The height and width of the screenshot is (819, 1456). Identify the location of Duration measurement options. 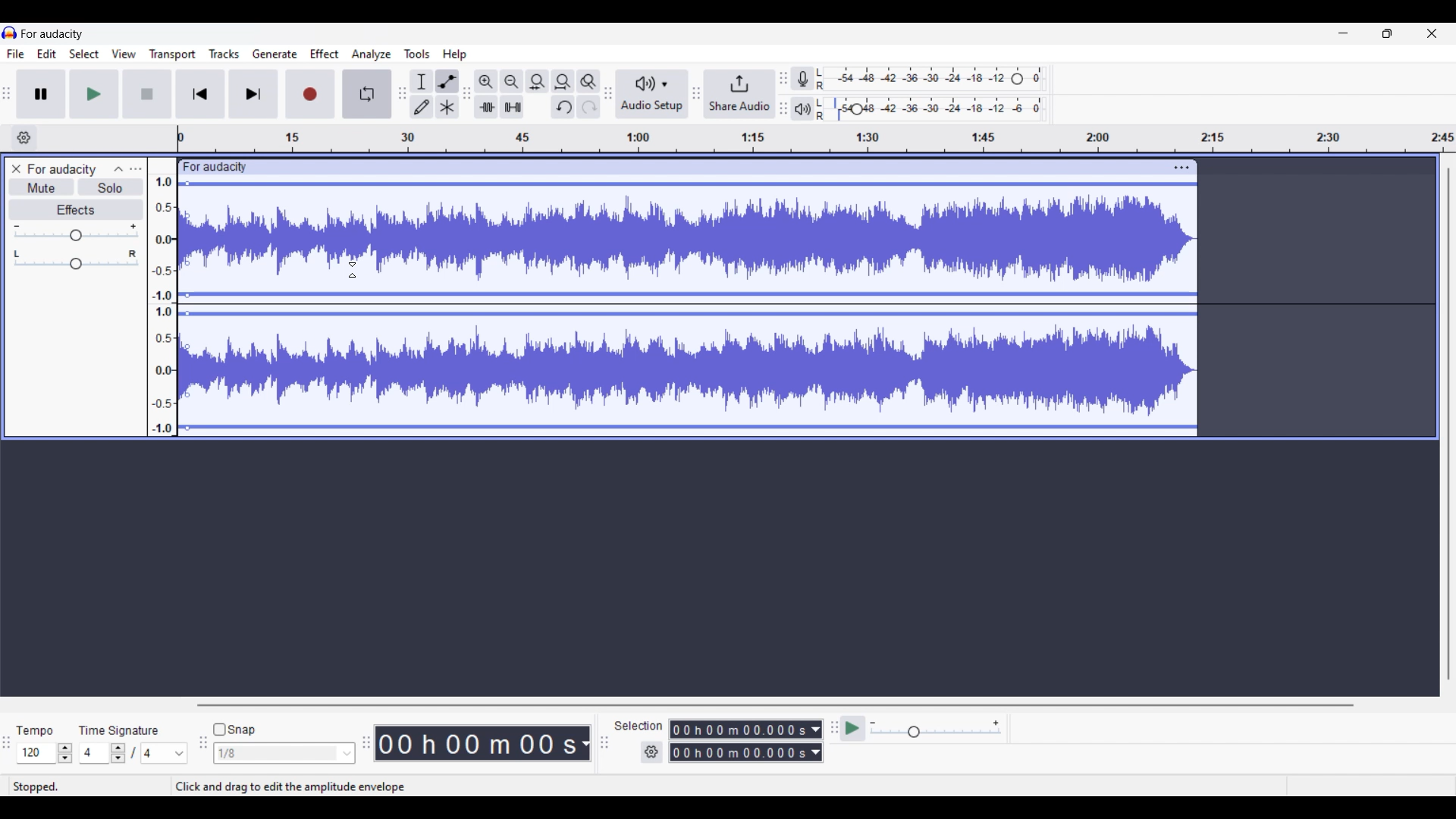
(585, 744).